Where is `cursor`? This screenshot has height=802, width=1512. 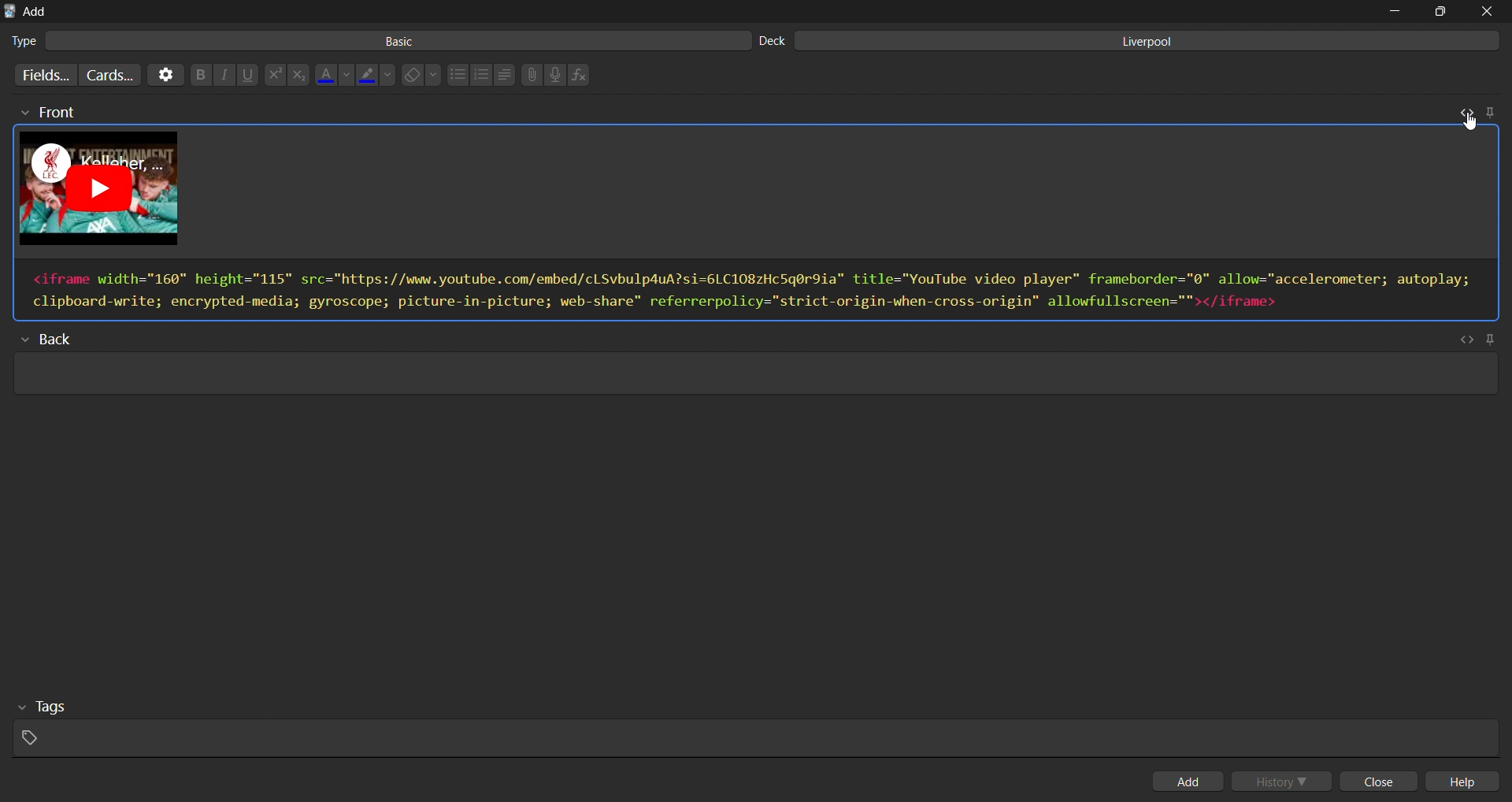 cursor is located at coordinates (1466, 121).